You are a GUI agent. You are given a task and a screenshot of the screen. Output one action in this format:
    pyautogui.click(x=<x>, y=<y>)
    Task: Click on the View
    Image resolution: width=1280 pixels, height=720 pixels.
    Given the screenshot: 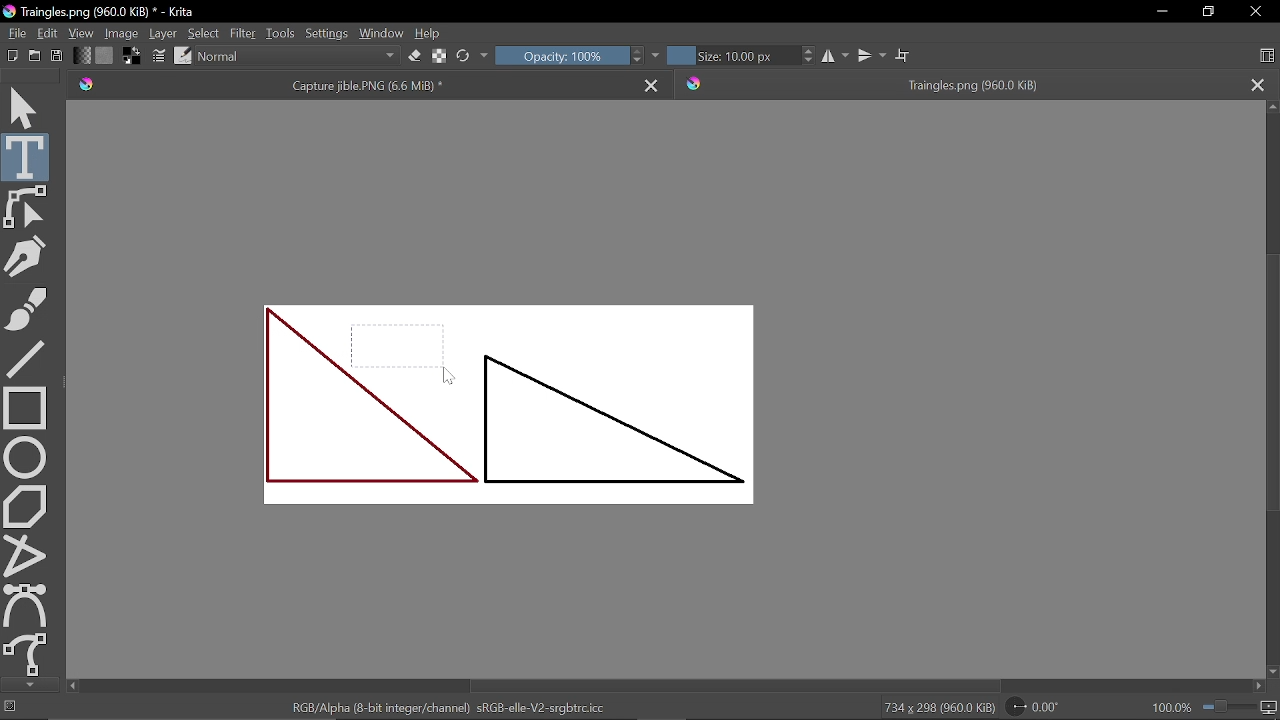 What is the action you would take?
    pyautogui.click(x=80, y=33)
    